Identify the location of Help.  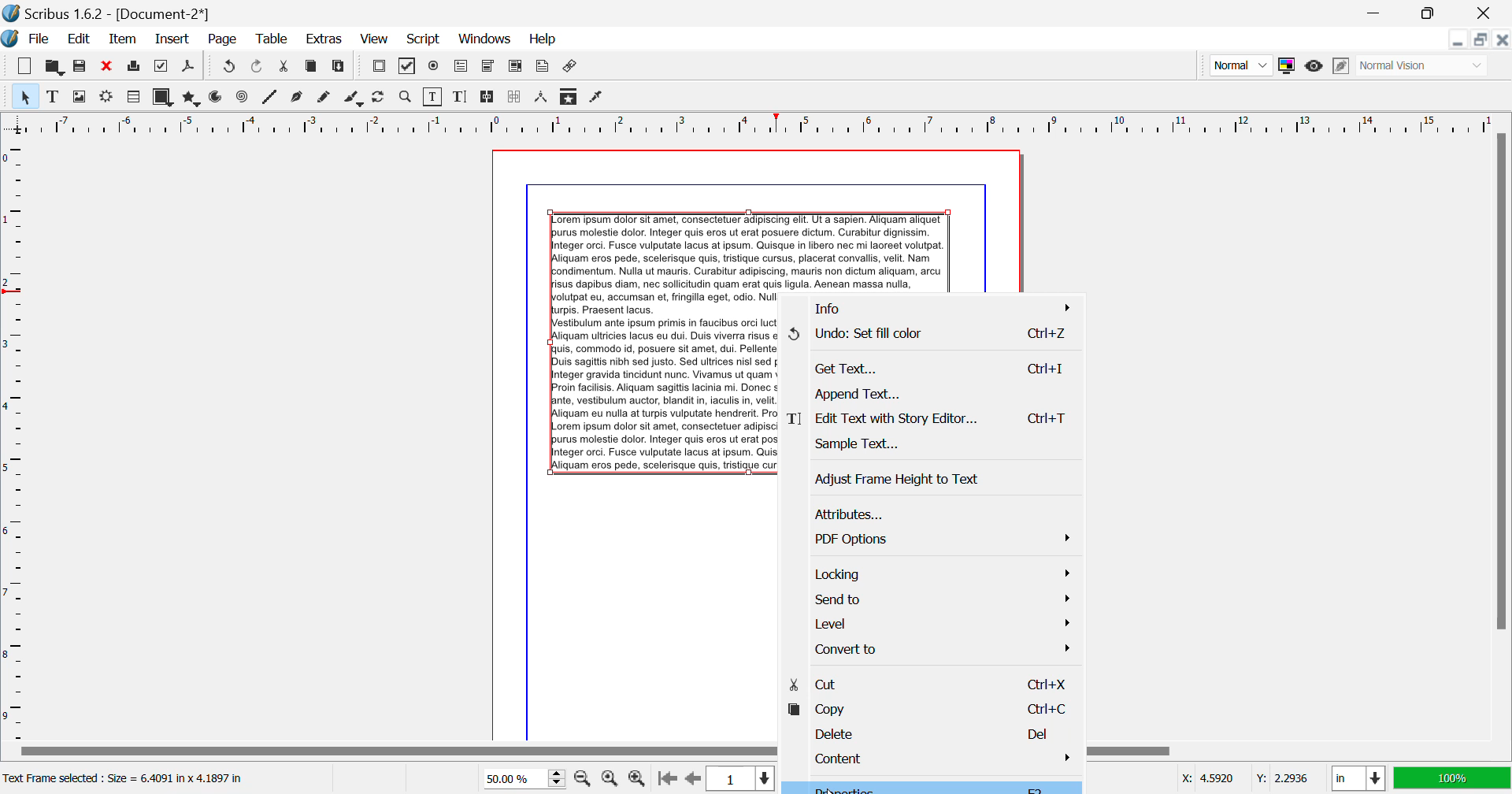
(544, 39).